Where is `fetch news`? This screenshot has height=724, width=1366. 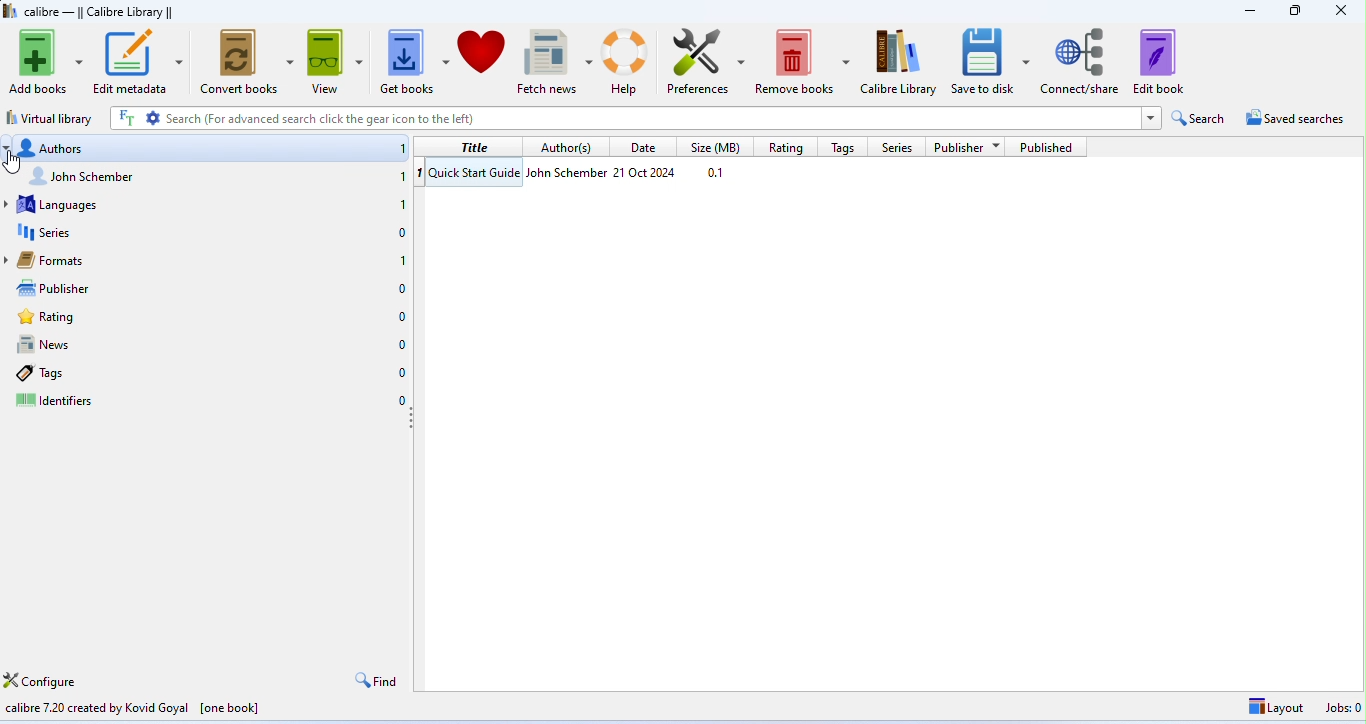
fetch news is located at coordinates (557, 57).